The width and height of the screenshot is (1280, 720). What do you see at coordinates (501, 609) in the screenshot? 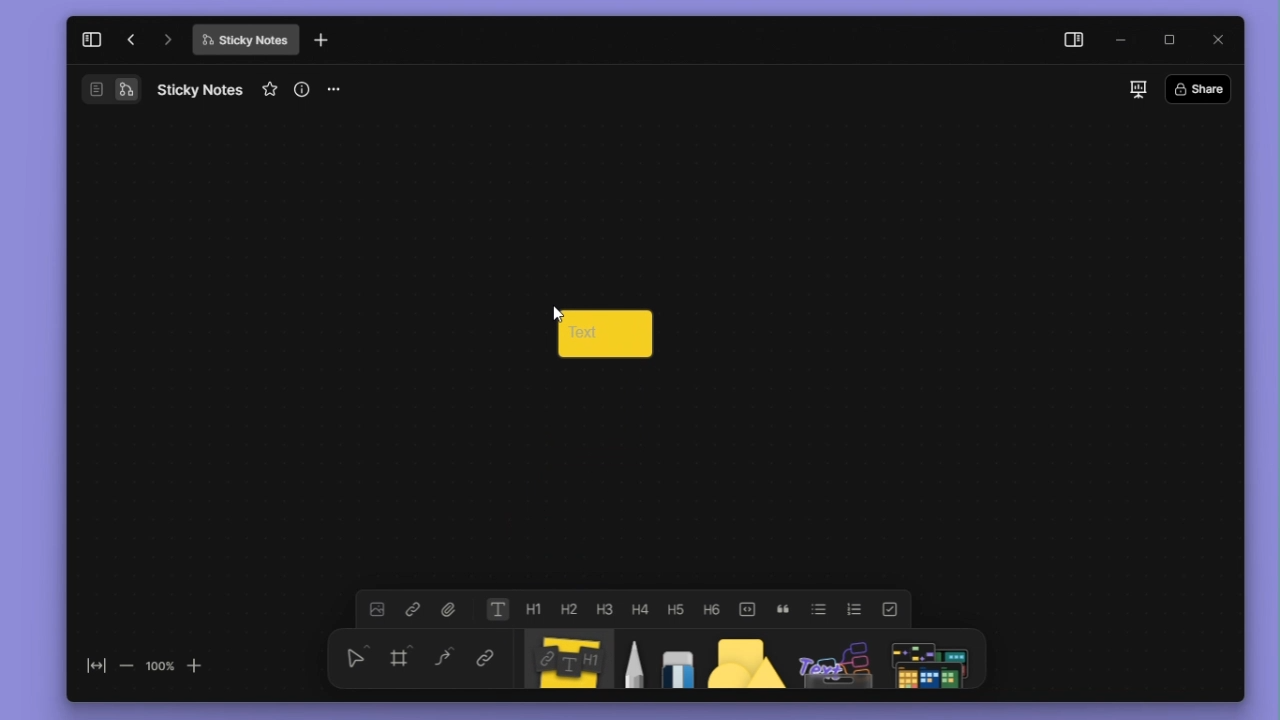
I see `text` at bounding box center [501, 609].